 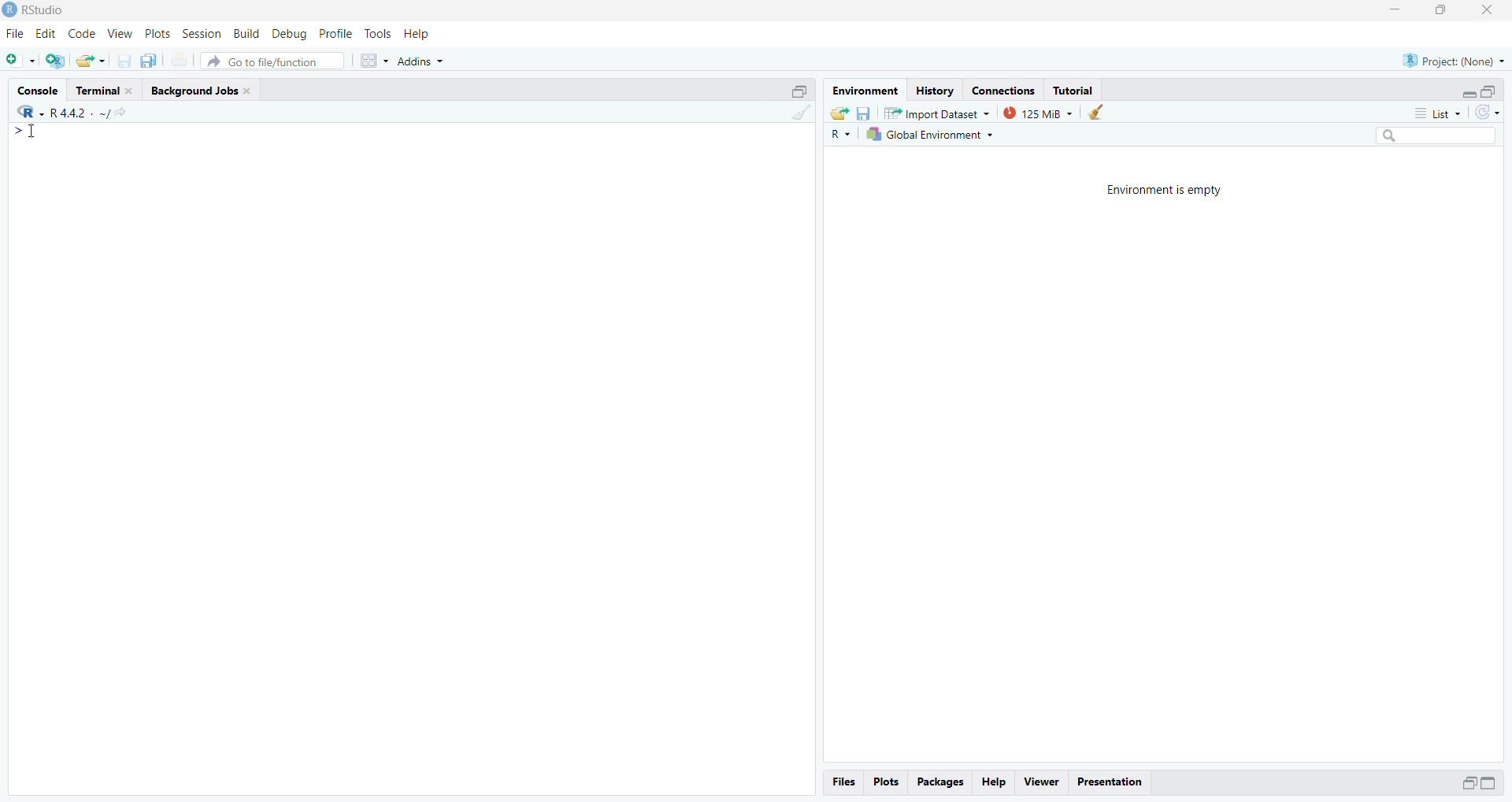 What do you see at coordinates (1469, 94) in the screenshot?
I see `minimize` at bounding box center [1469, 94].